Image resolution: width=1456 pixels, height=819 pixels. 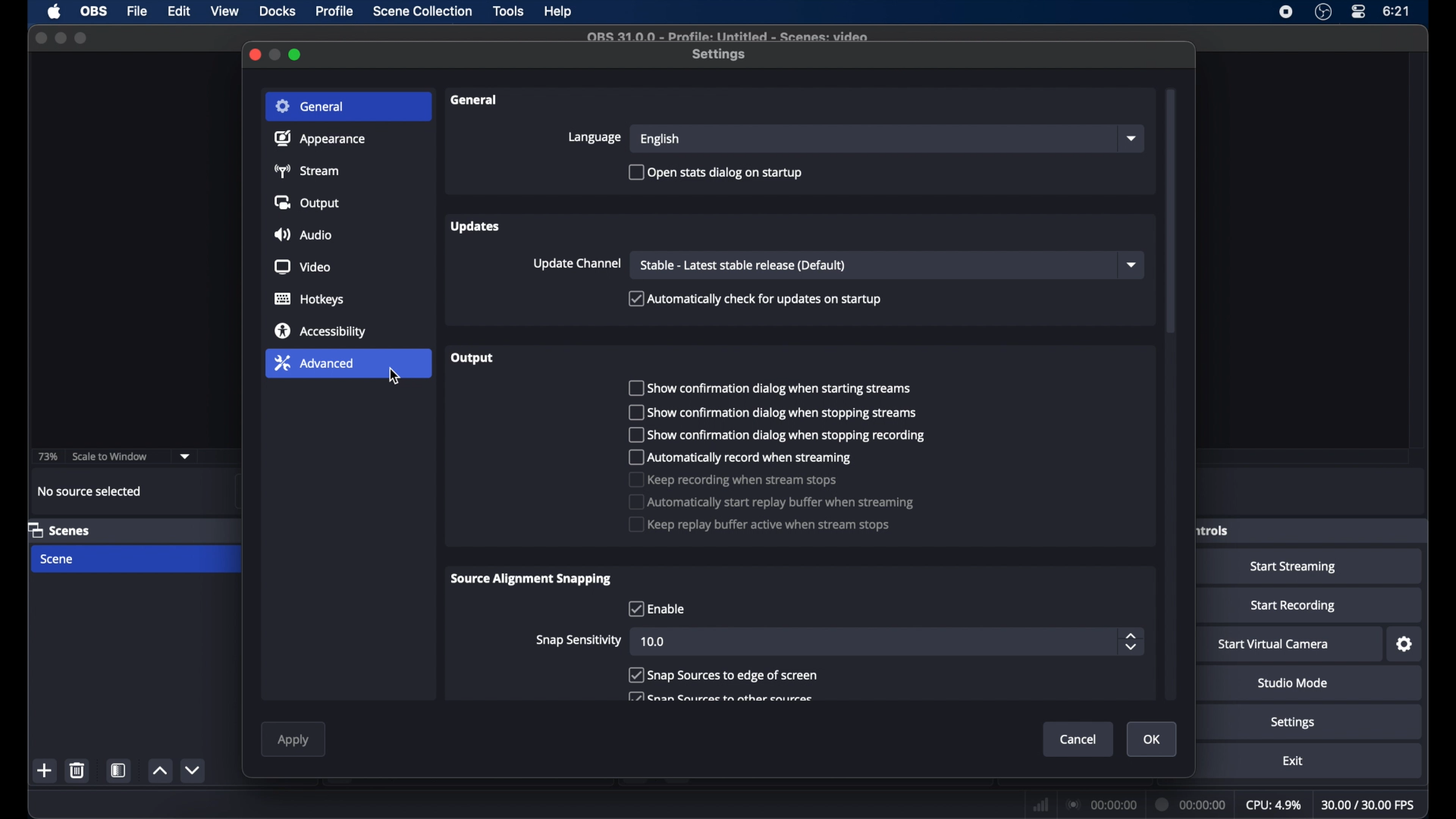 What do you see at coordinates (1293, 682) in the screenshot?
I see `studio mode` at bounding box center [1293, 682].